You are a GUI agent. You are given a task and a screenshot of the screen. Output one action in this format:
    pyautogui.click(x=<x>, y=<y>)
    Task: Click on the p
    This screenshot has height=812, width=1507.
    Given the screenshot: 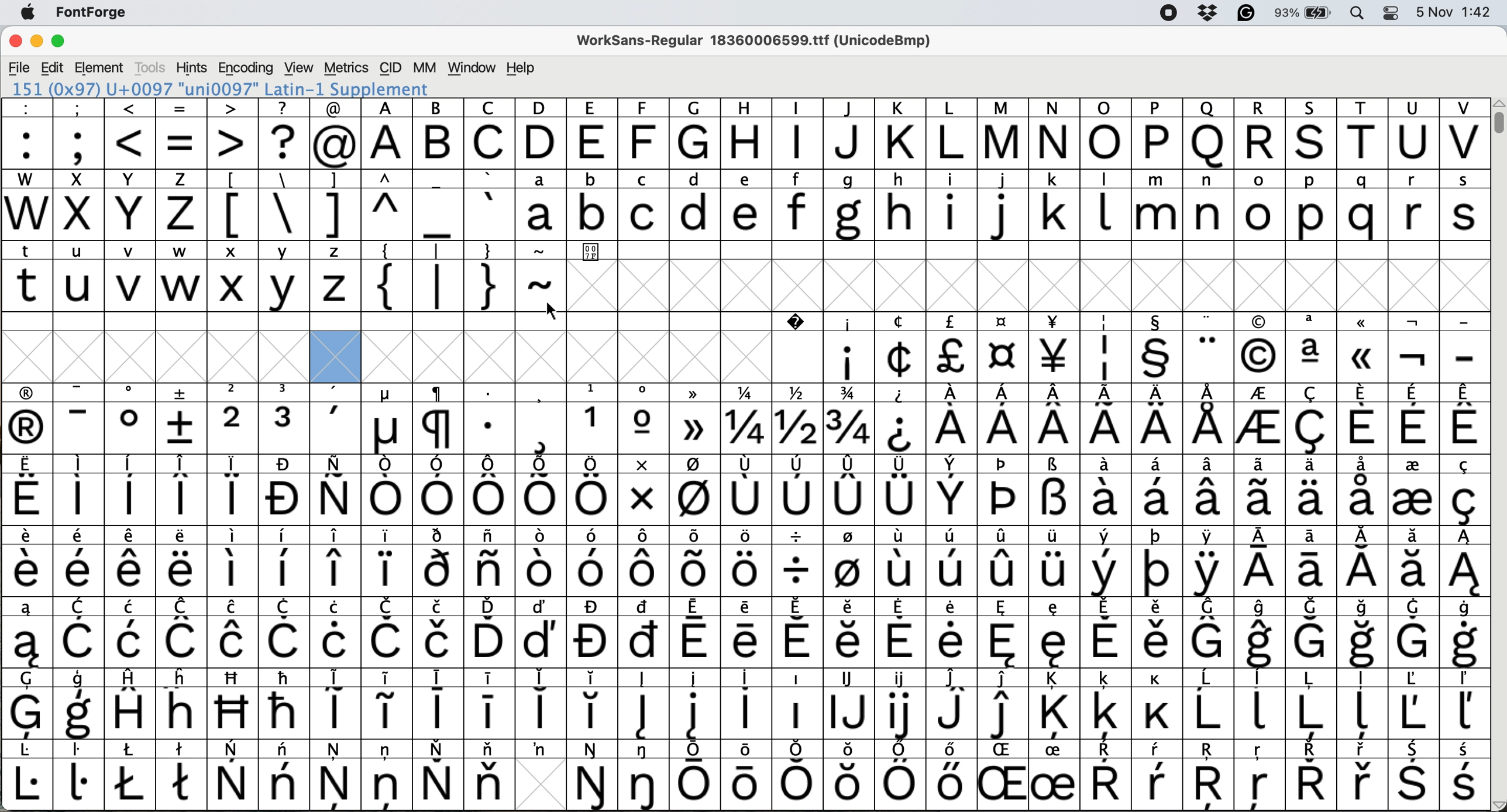 What is the action you would take?
    pyautogui.click(x=1312, y=207)
    